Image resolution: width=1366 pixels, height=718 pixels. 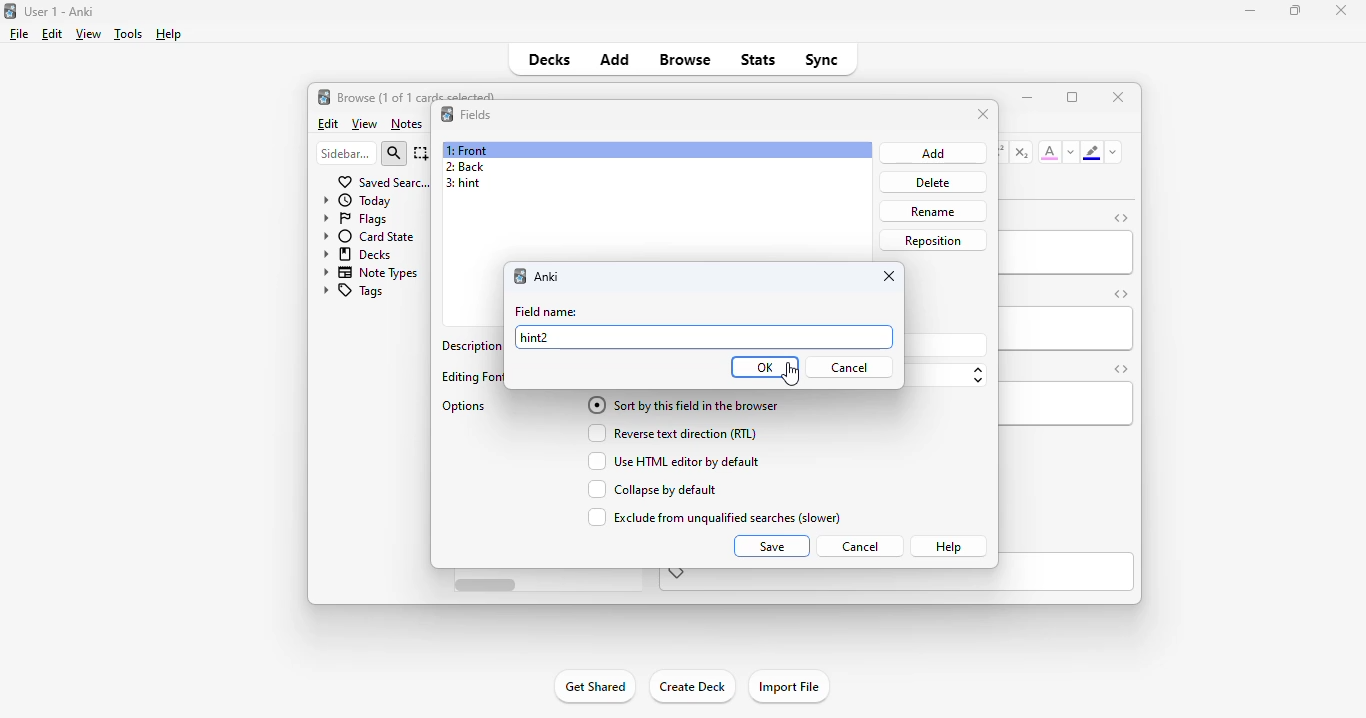 I want to click on minimize, so click(x=1251, y=10).